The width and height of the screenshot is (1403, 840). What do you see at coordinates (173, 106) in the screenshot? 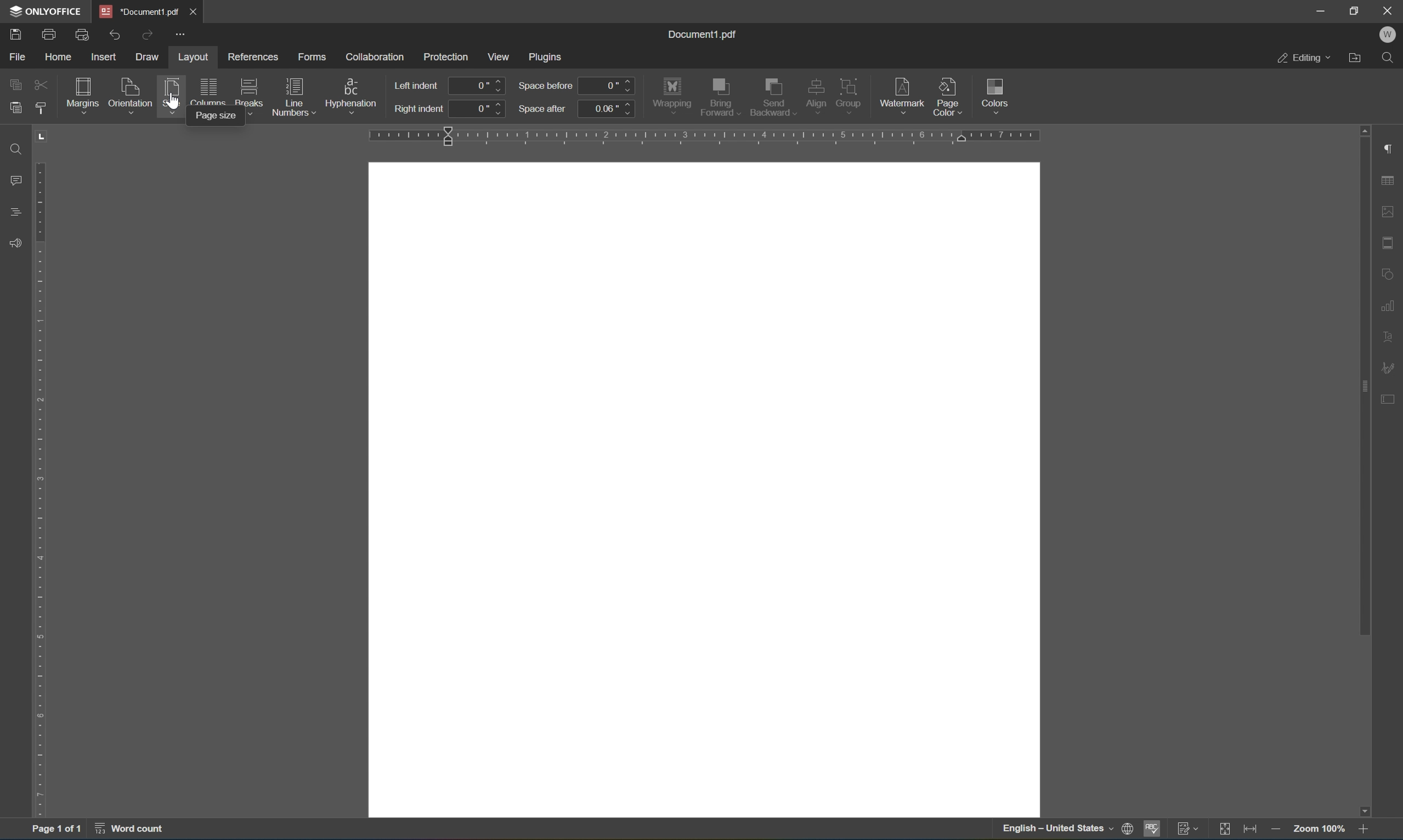
I see `cursor` at bounding box center [173, 106].